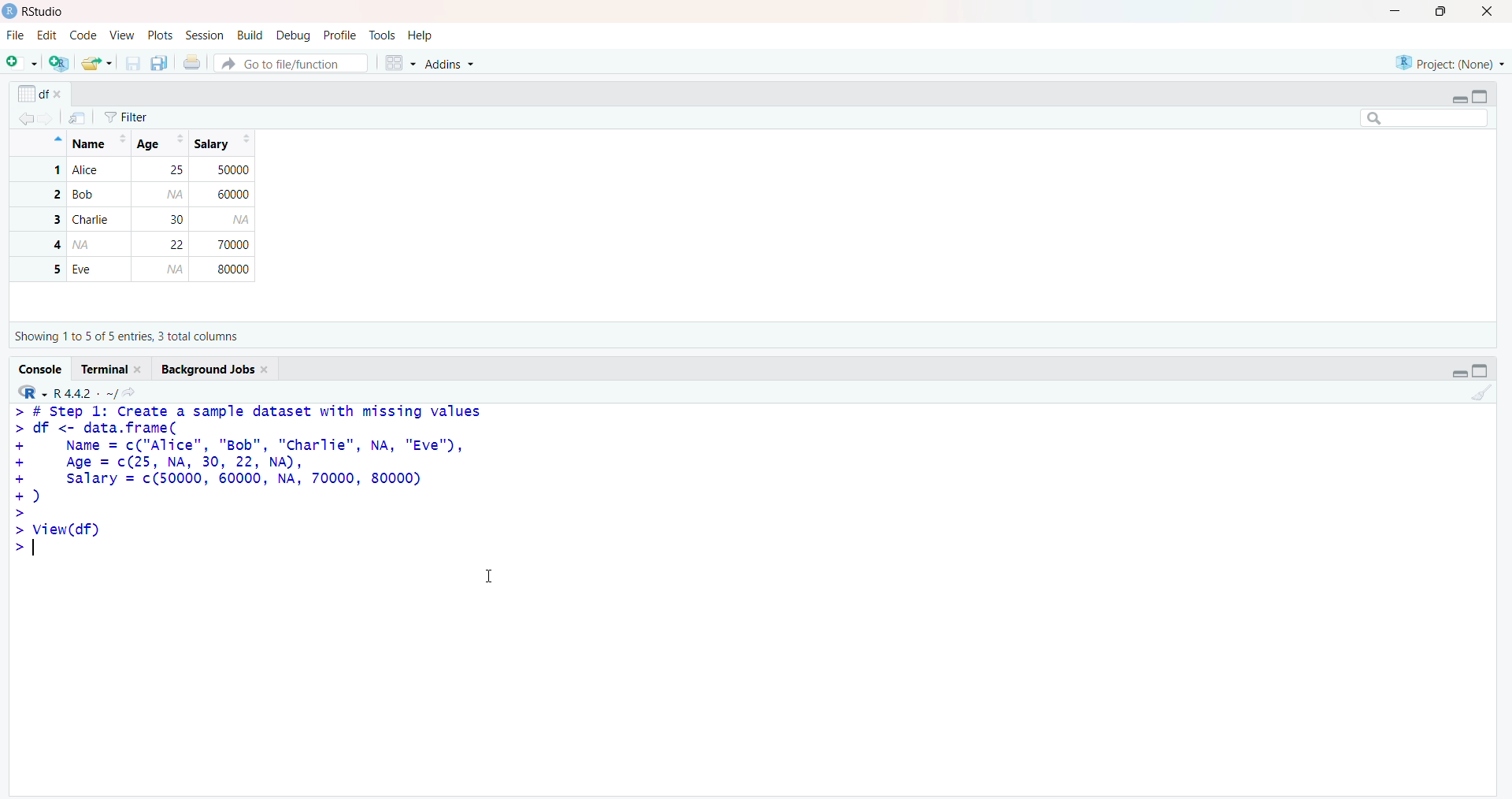  Describe the element at coordinates (80, 35) in the screenshot. I see `Code` at that location.